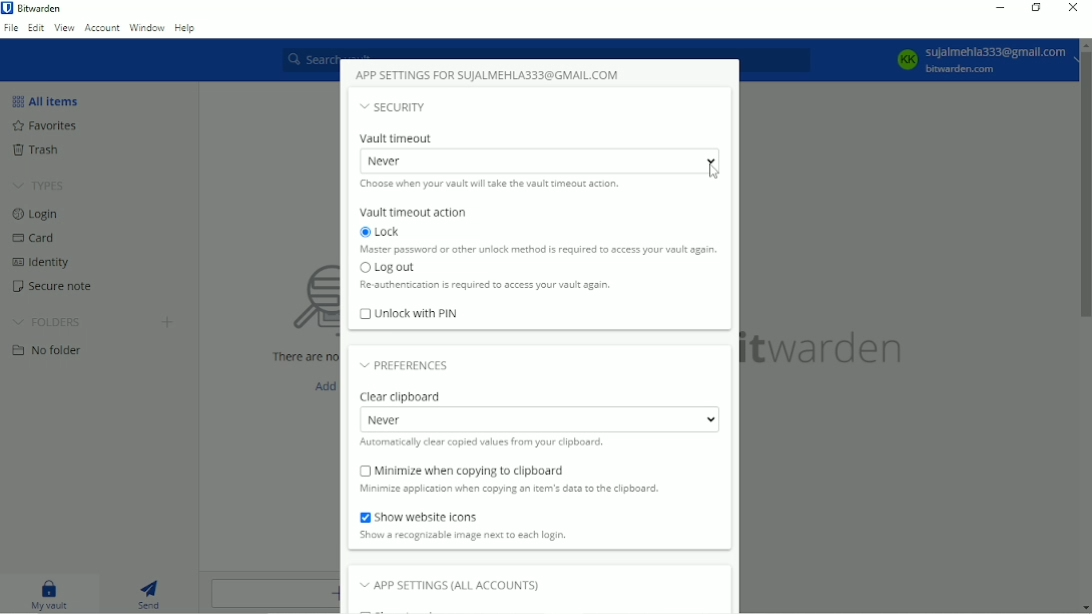  I want to click on Vault timeout action, so click(413, 211).